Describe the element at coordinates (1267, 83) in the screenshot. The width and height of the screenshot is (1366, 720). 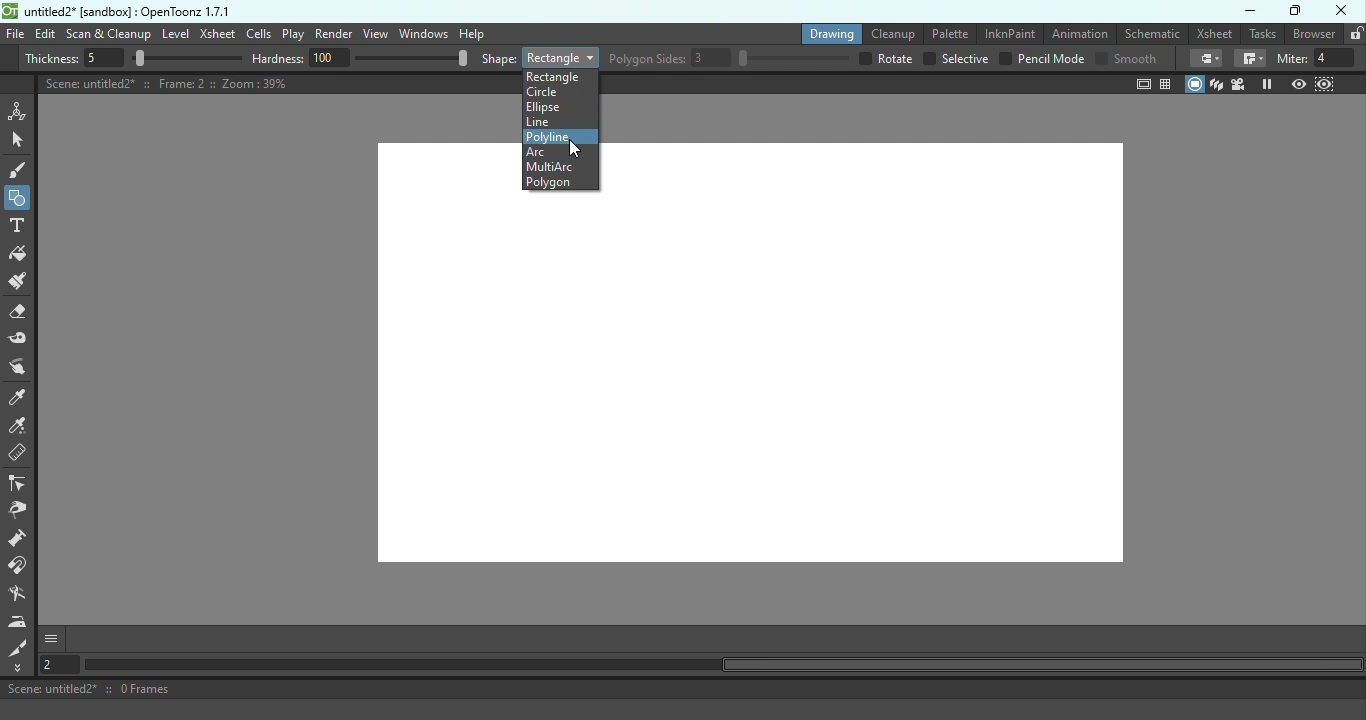
I see `Freeze` at that location.